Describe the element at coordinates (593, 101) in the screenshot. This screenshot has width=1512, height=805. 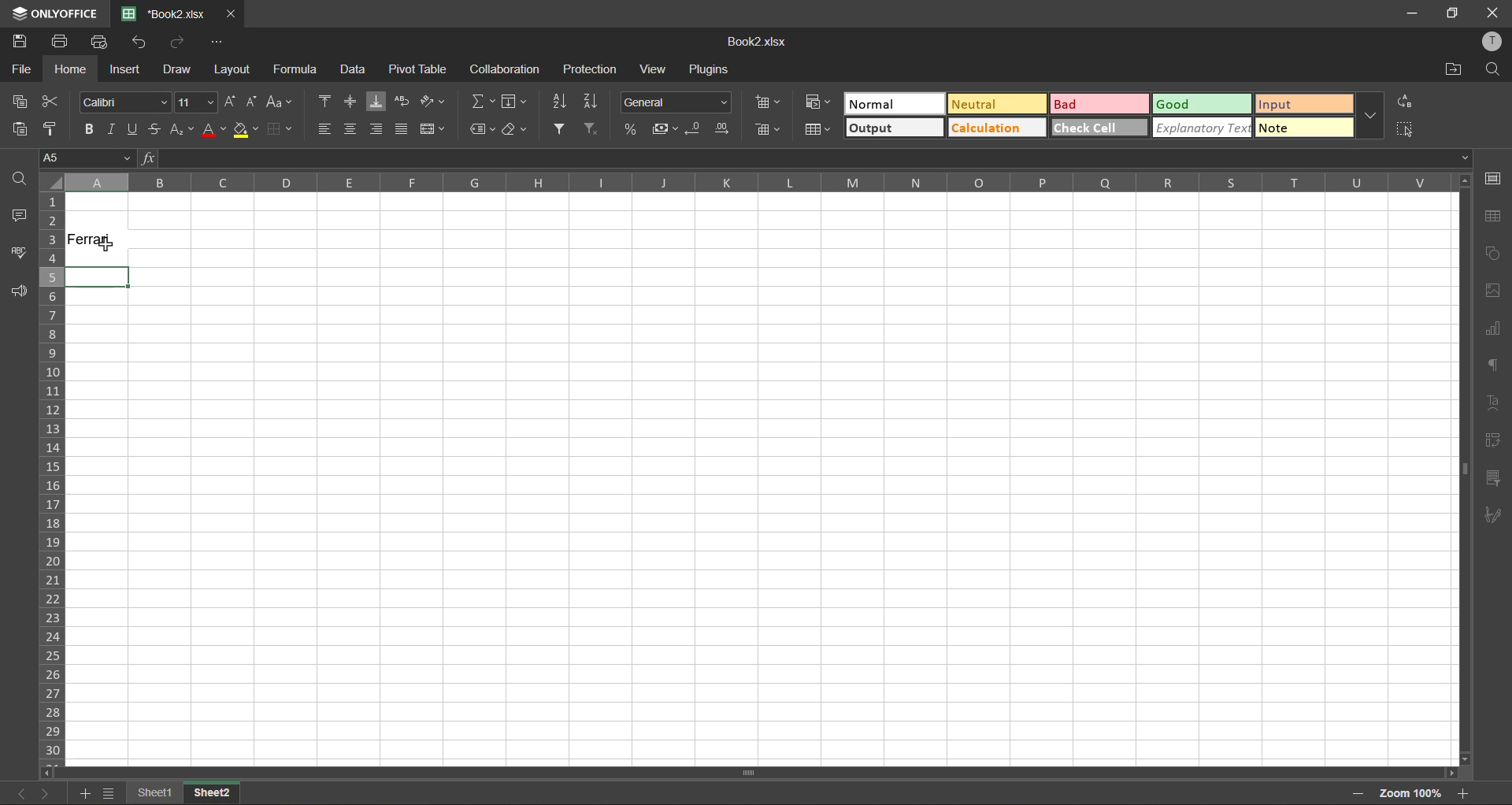
I see `sort descending` at that location.